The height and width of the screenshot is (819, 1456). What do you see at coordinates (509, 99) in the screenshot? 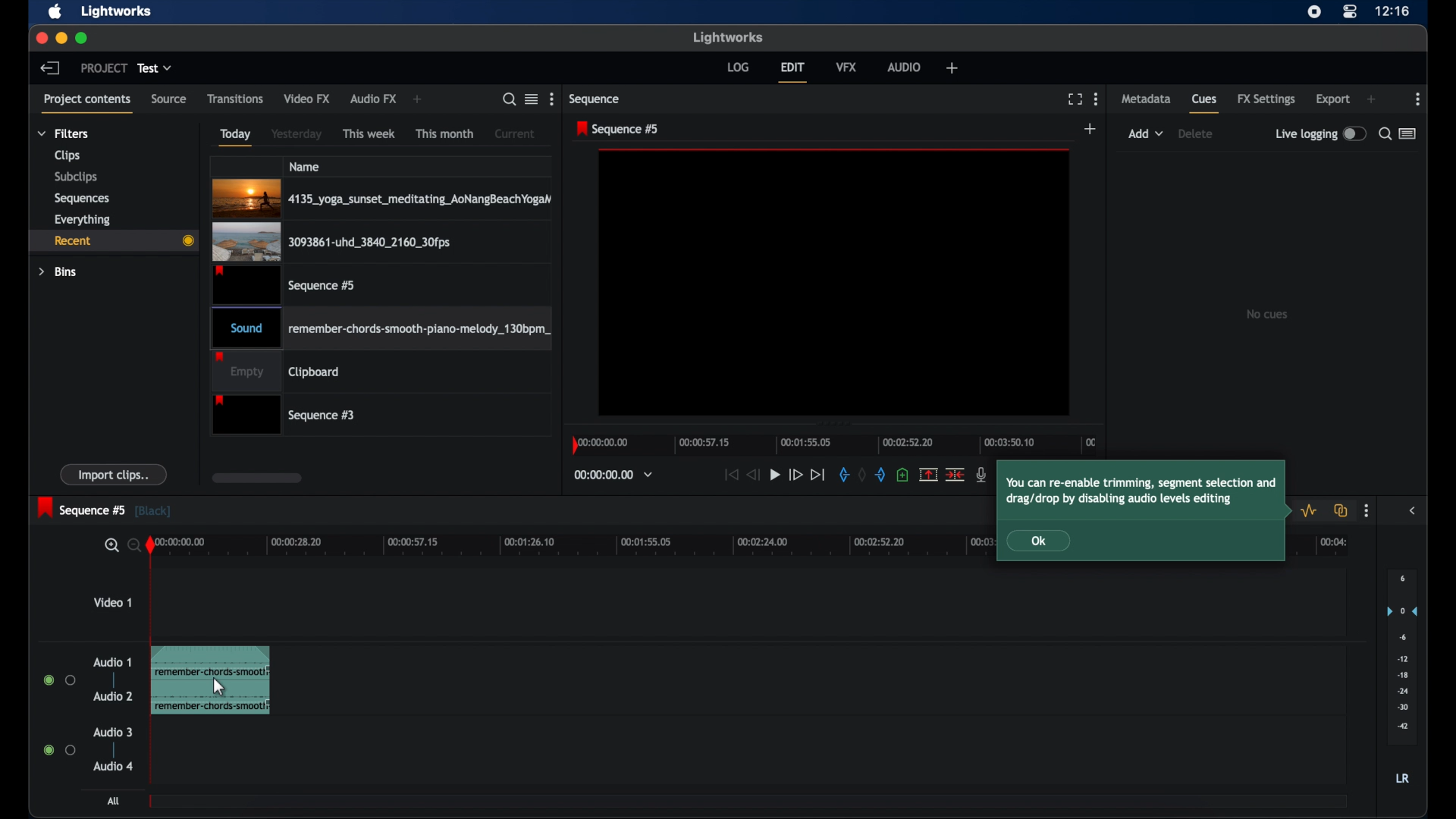
I see `search` at bounding box center [509, 99].